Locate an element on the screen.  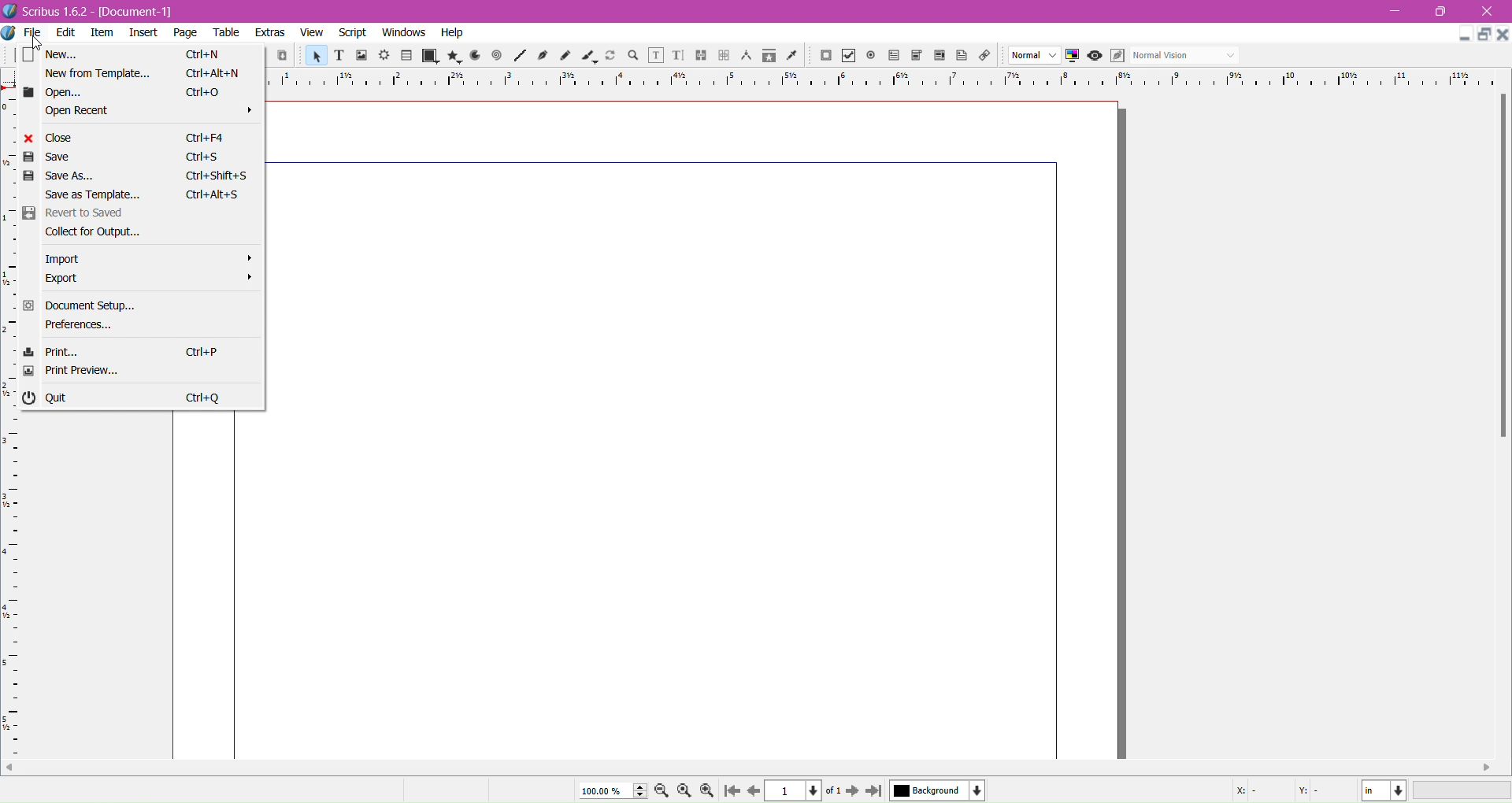
Minimize Document is located at coordinates (1463, 36).